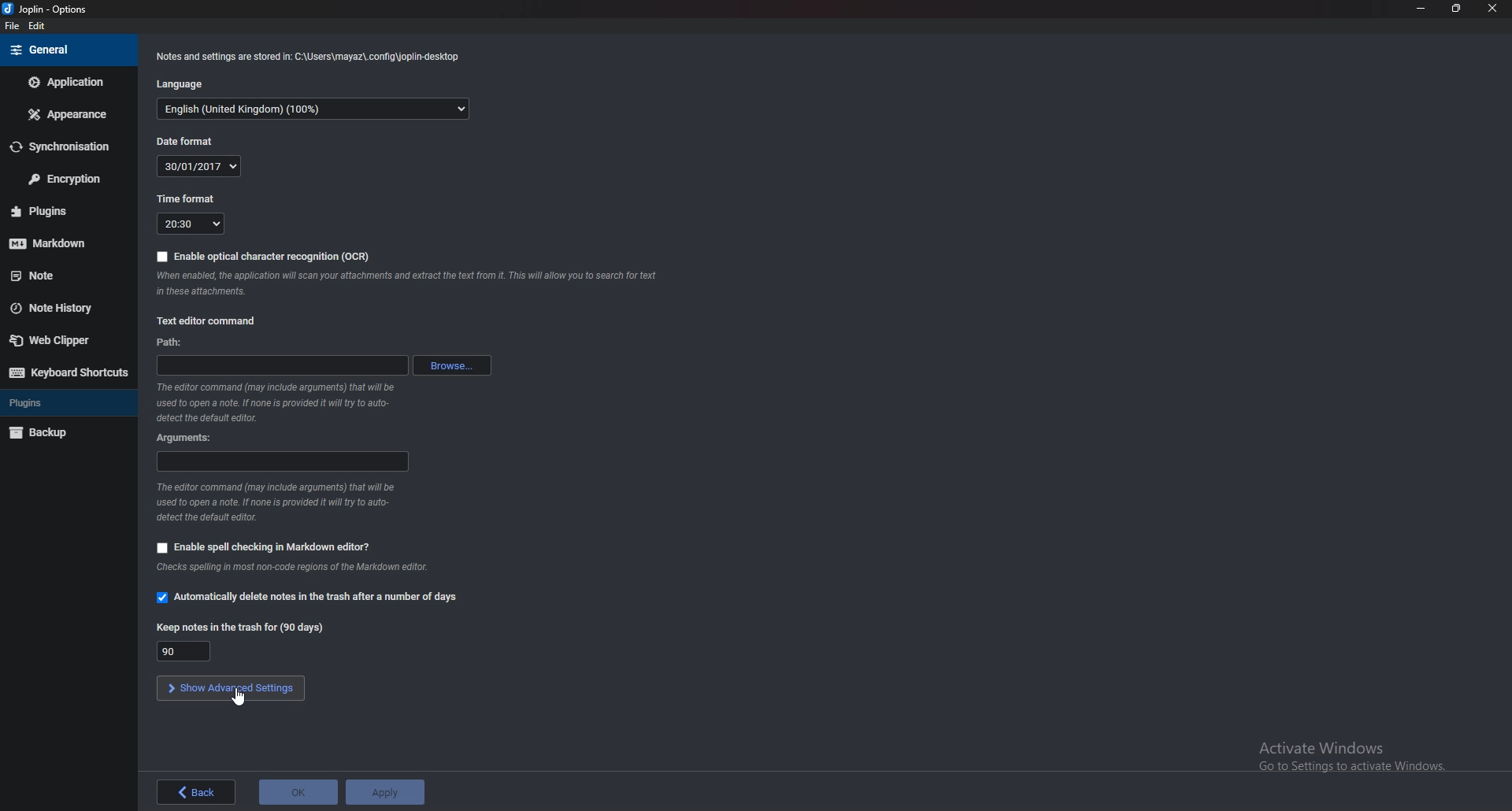  Describe the element at coordinates (62, 146) in the screenshot. I see `Synchronization` at that location.